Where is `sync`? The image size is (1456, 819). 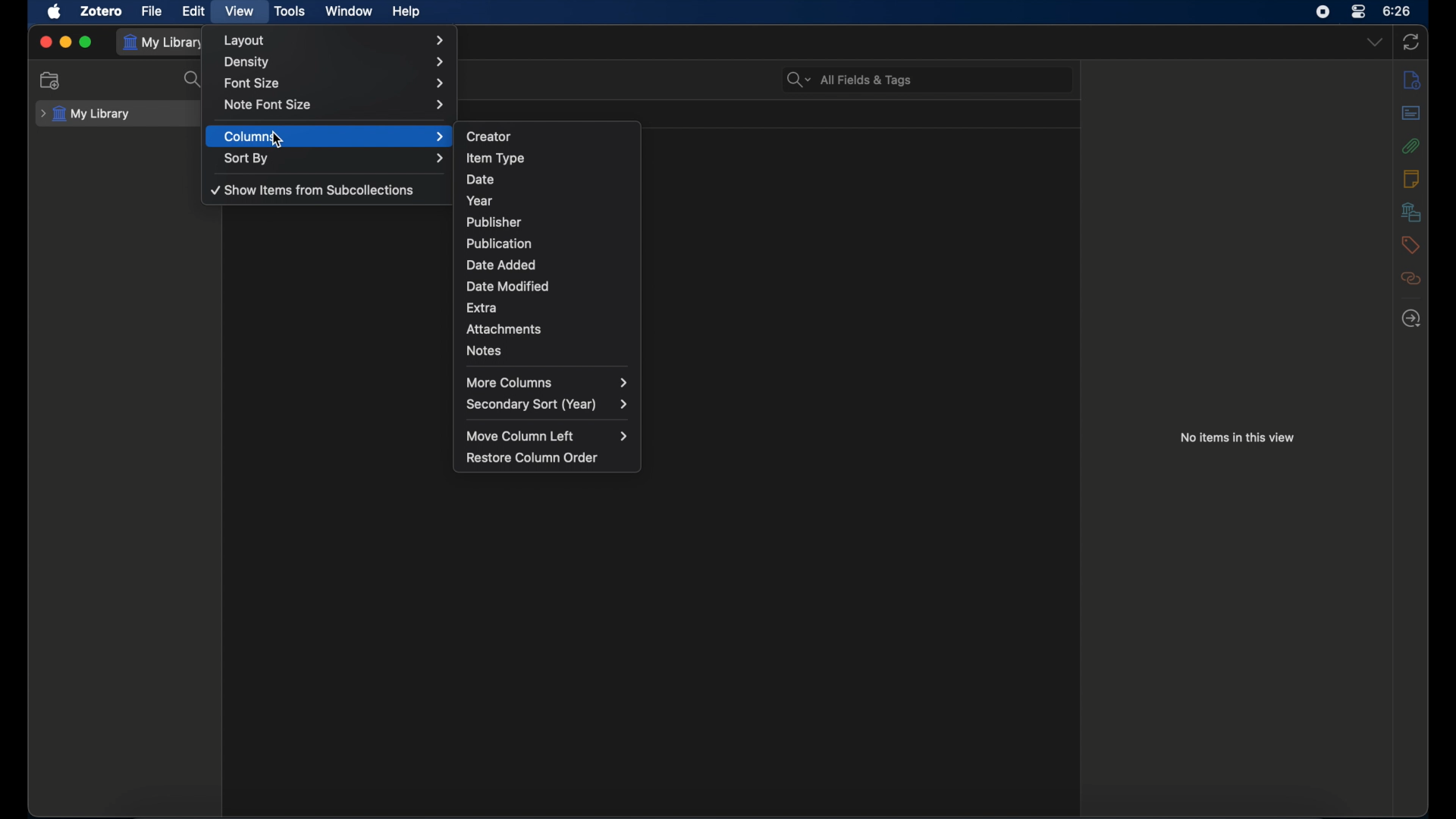 sync is located at coordinates (1414, 42).